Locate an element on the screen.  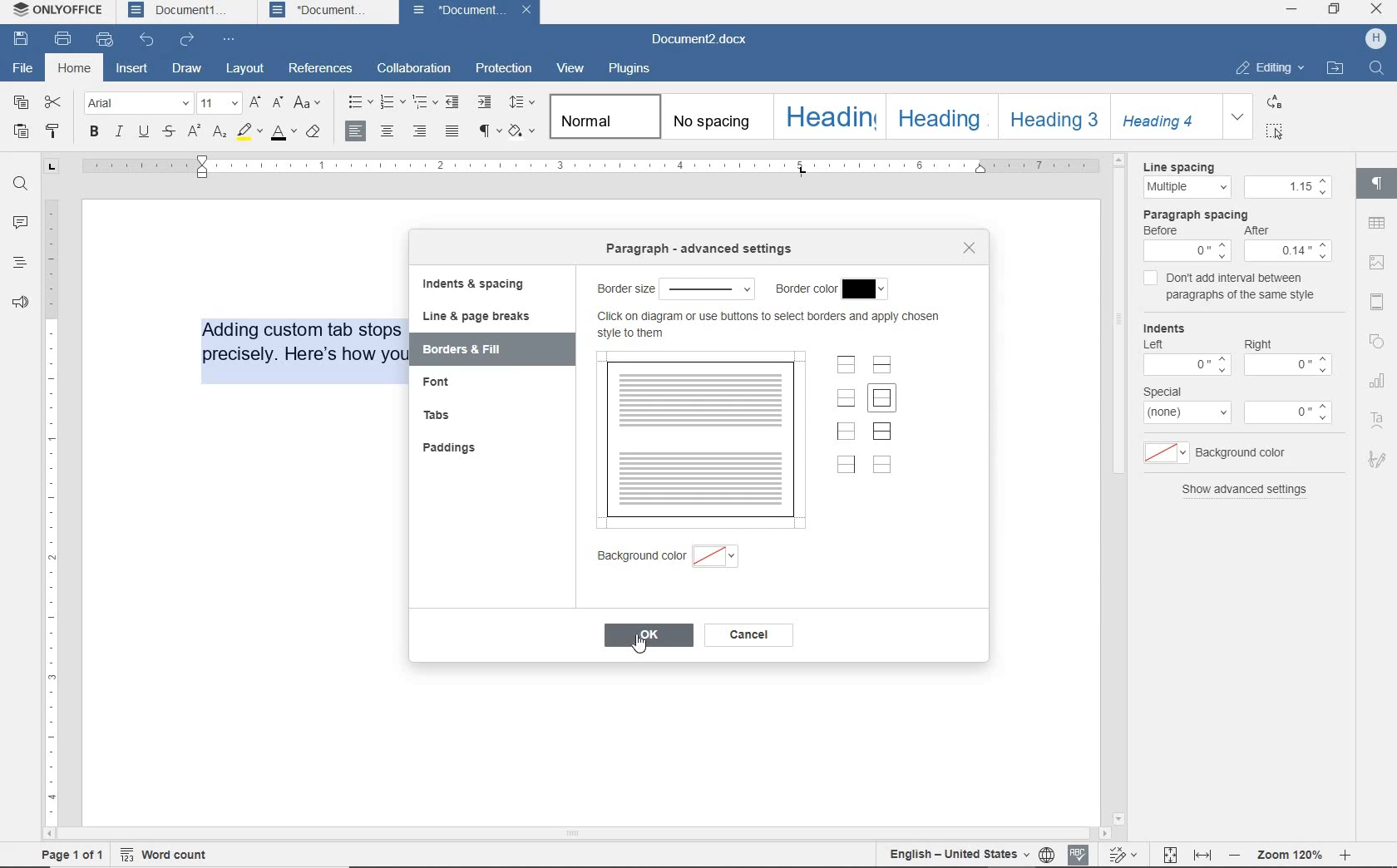
background color is located at coordinates (1244, 451).